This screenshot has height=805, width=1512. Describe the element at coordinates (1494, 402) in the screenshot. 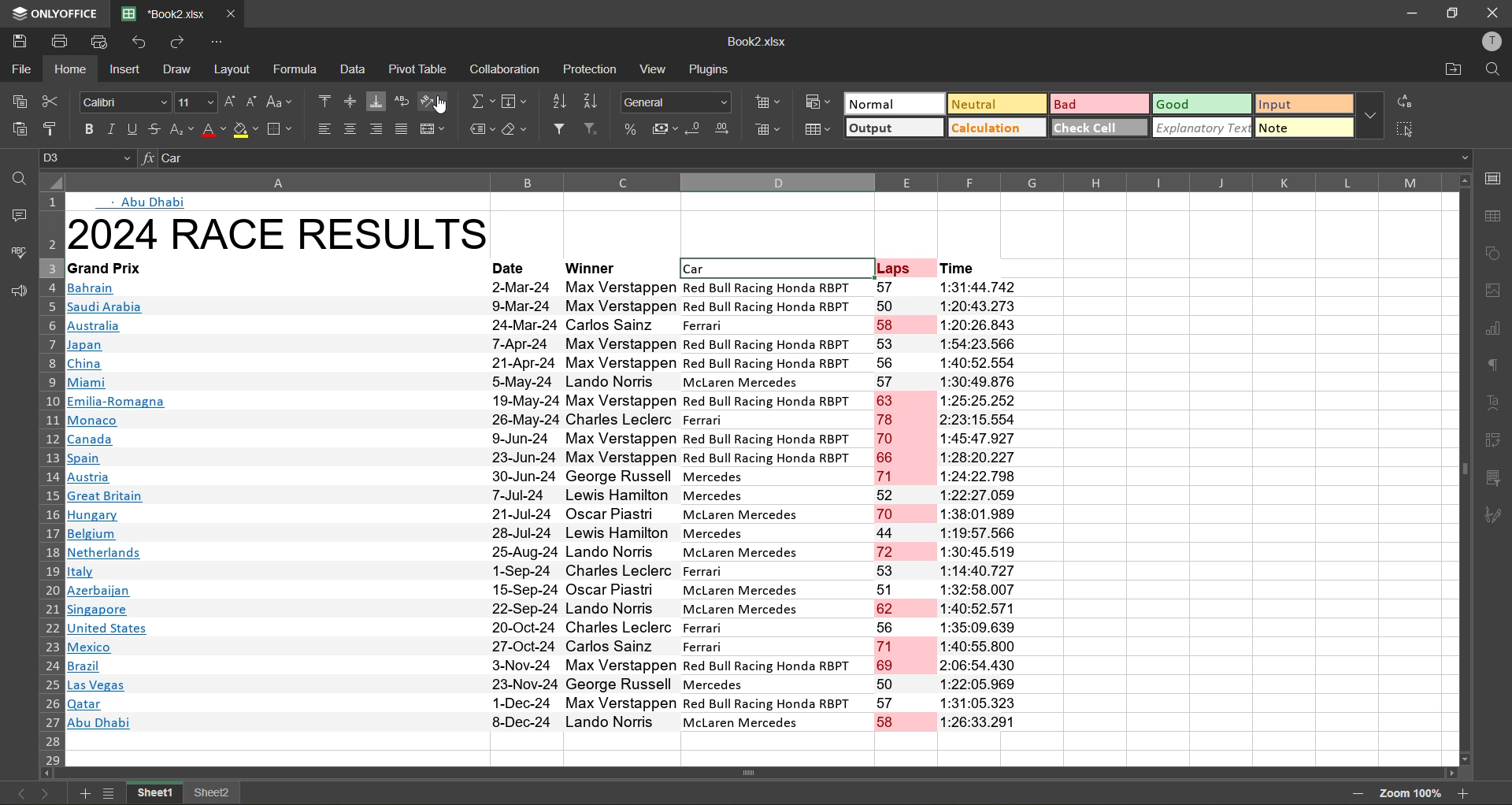

I see `text` at that location.